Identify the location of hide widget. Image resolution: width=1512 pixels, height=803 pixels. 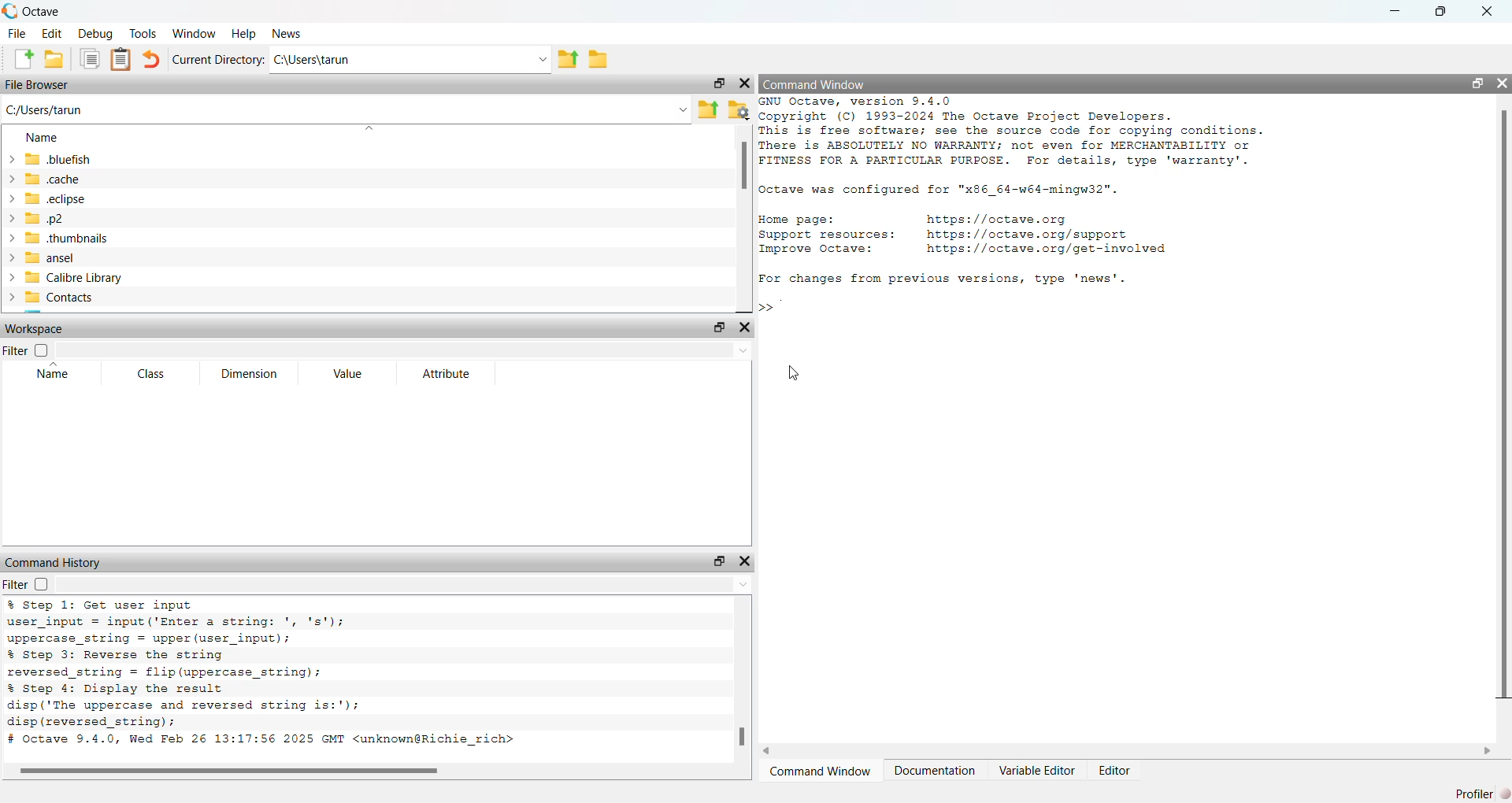
(746, 561).